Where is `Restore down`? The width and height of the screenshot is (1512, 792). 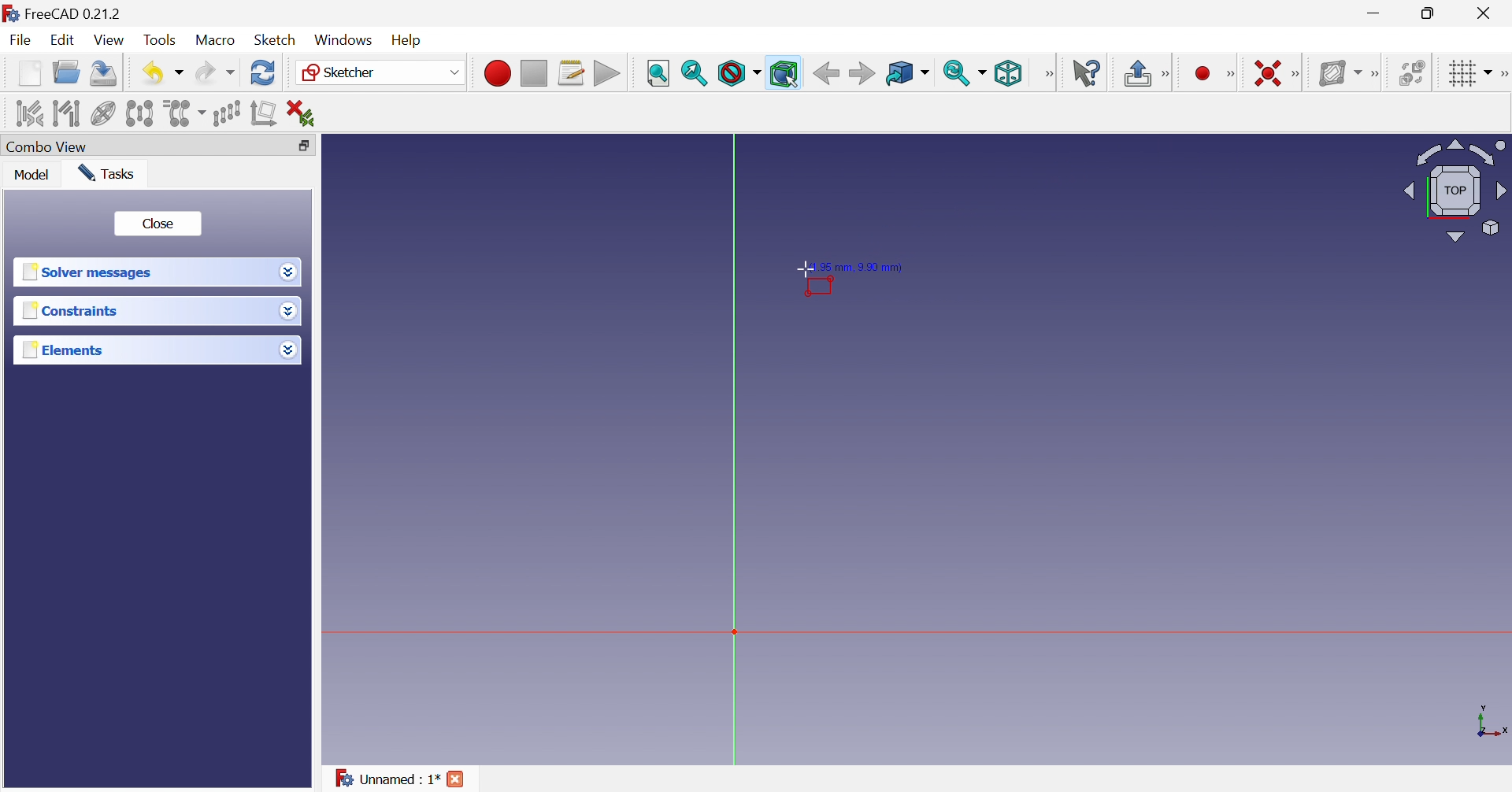
Restore down is located at coordinates (1432, 13).